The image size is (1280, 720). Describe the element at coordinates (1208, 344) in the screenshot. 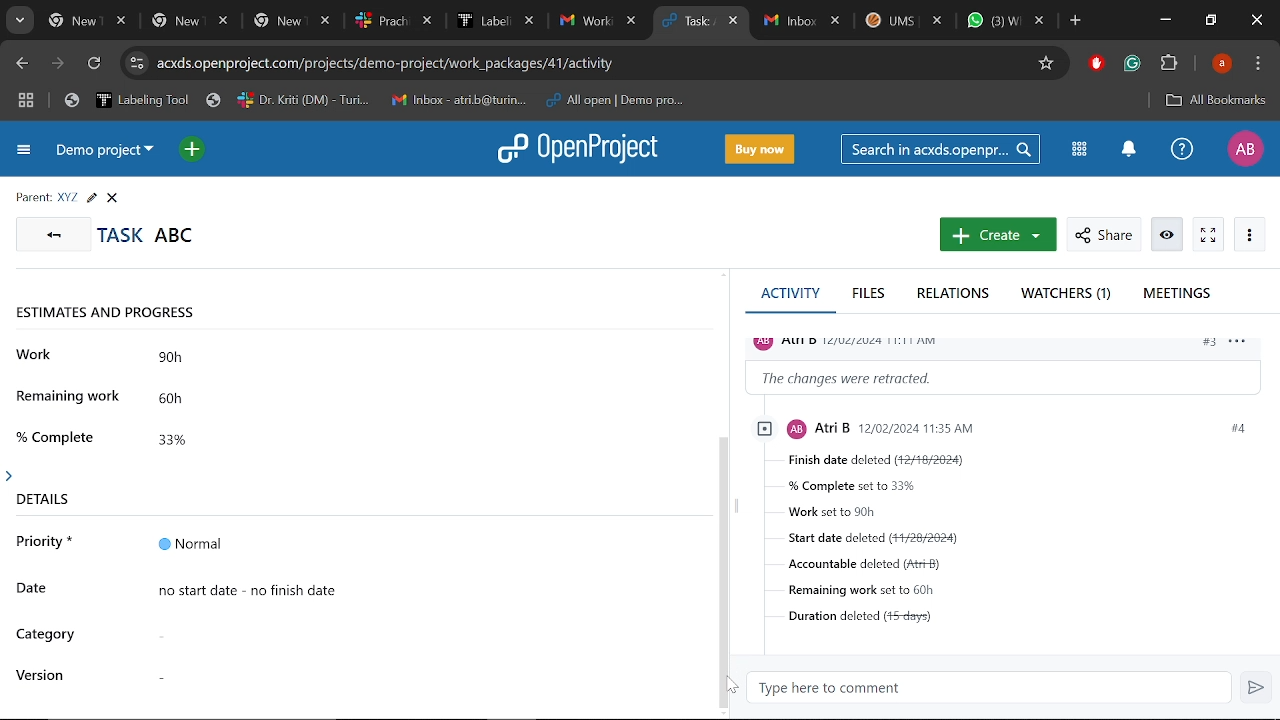

I see `#3` at that location.